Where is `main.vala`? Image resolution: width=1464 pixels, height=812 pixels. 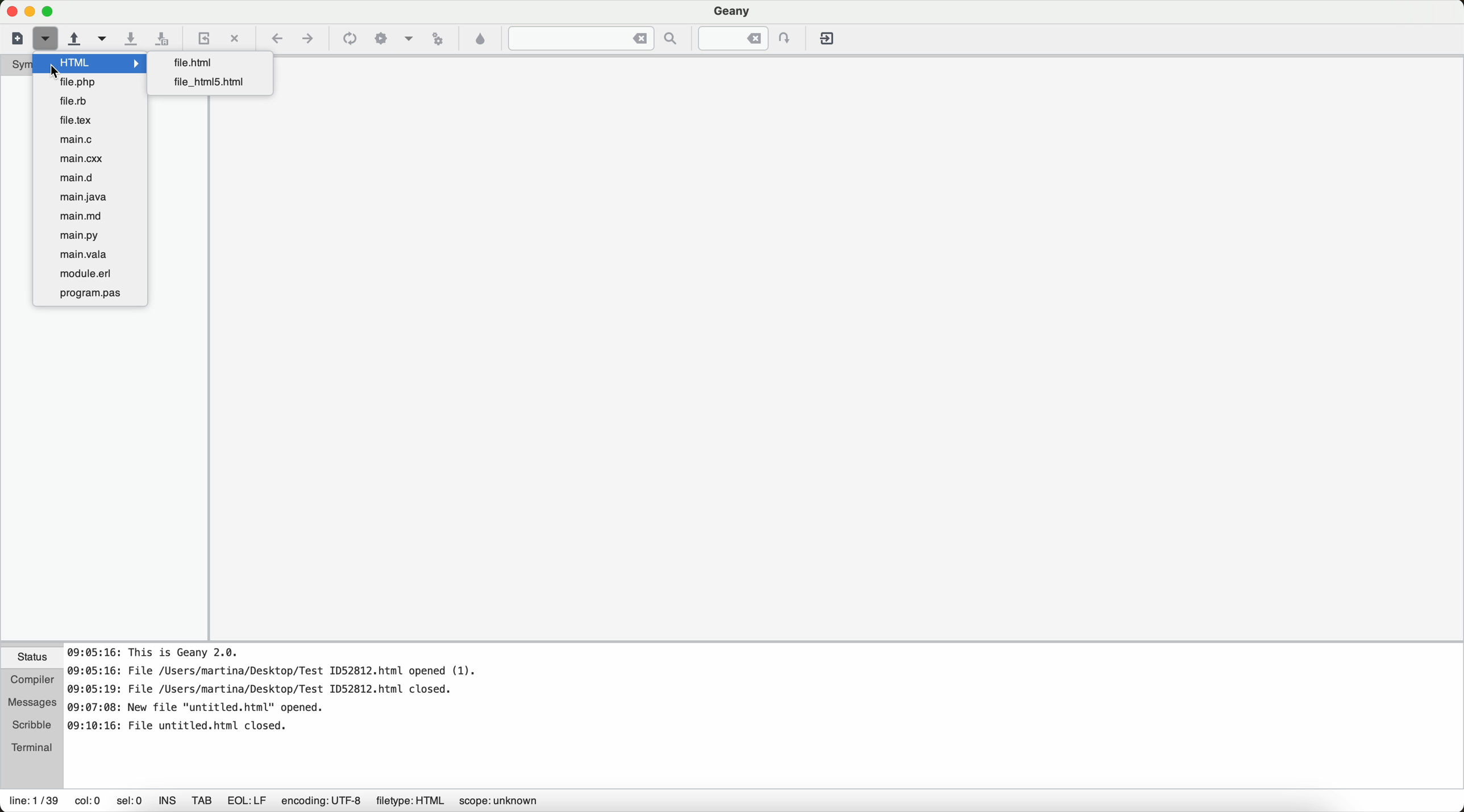
main.vala is located at coordinates (89, 254).